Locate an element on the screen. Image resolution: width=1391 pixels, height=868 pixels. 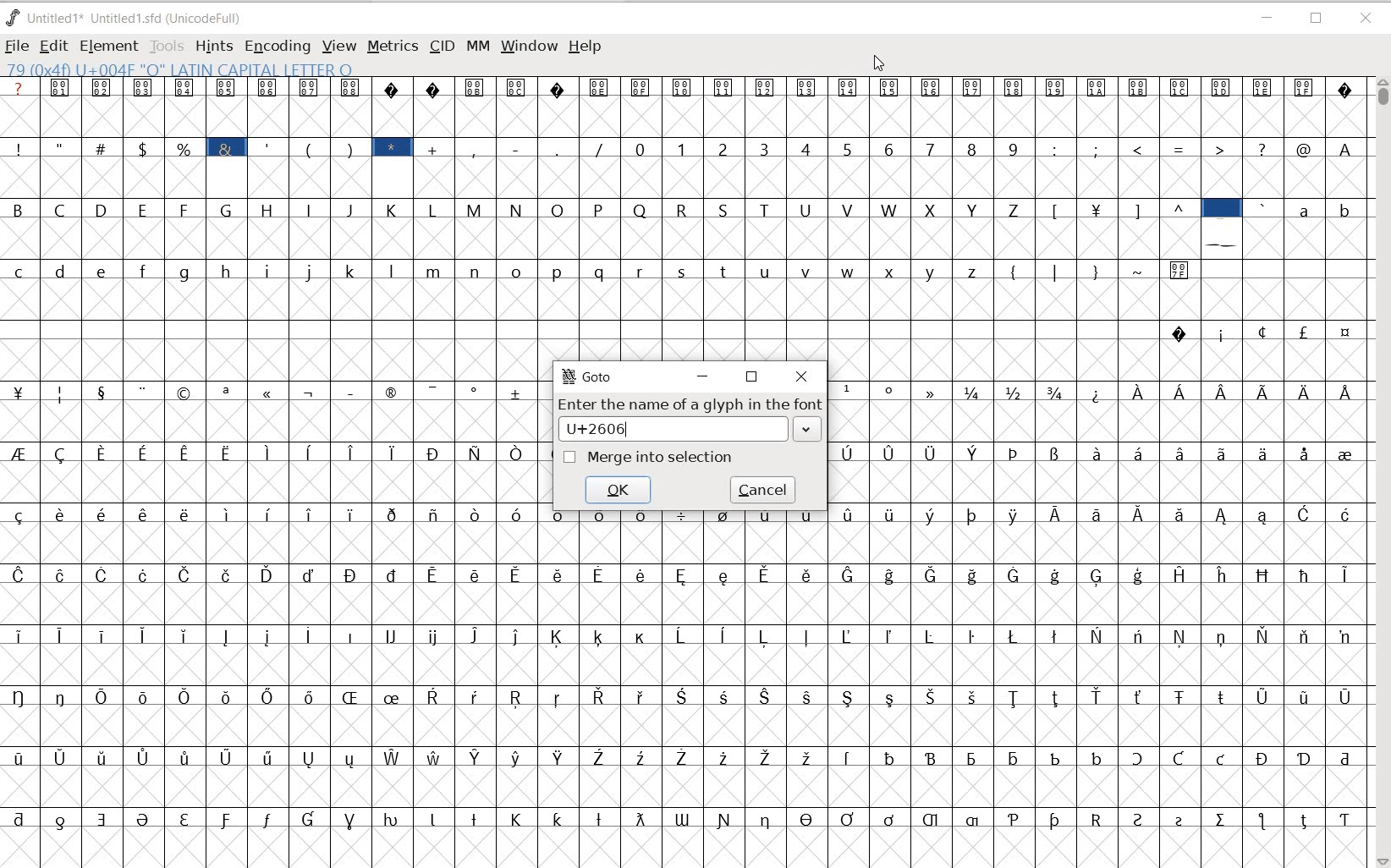
GLYPHY CHARACTERS & NUMBERS is located at coordinates (682, 217).